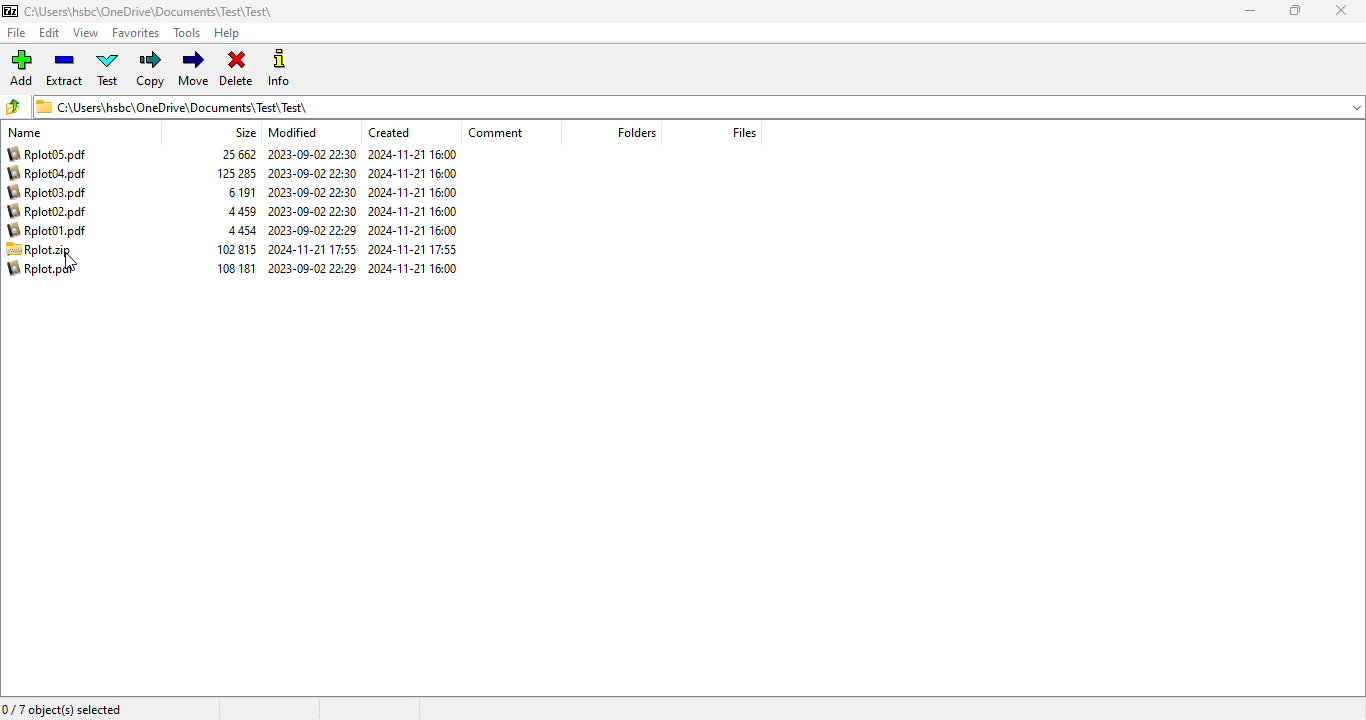 This screenshot has height=720, width=1366. Describe the element at coordinates (496, 133) in the screenshot. I see `comment` at that location.